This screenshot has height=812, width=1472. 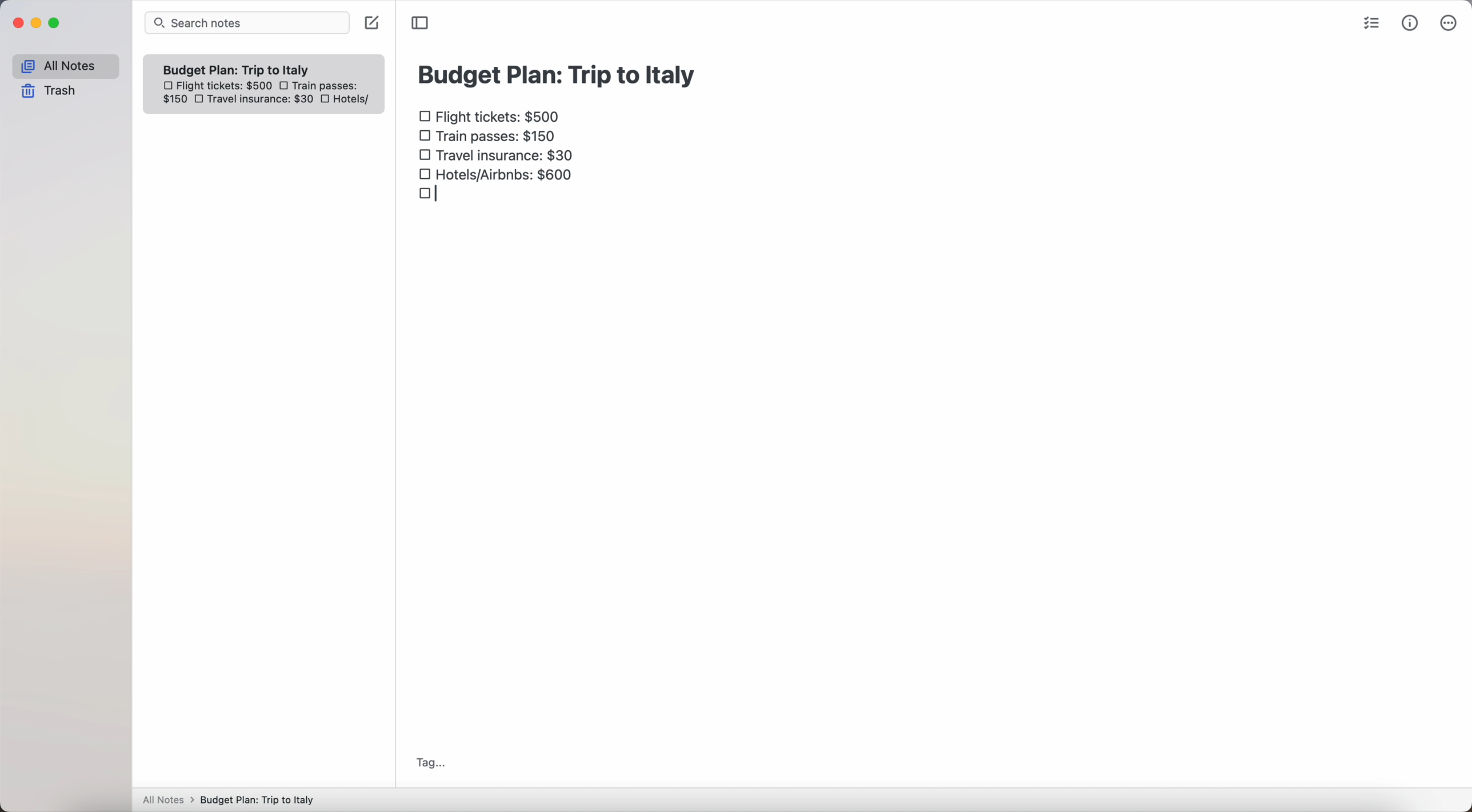 I want to click on search bar, so click(x=247, y=23).